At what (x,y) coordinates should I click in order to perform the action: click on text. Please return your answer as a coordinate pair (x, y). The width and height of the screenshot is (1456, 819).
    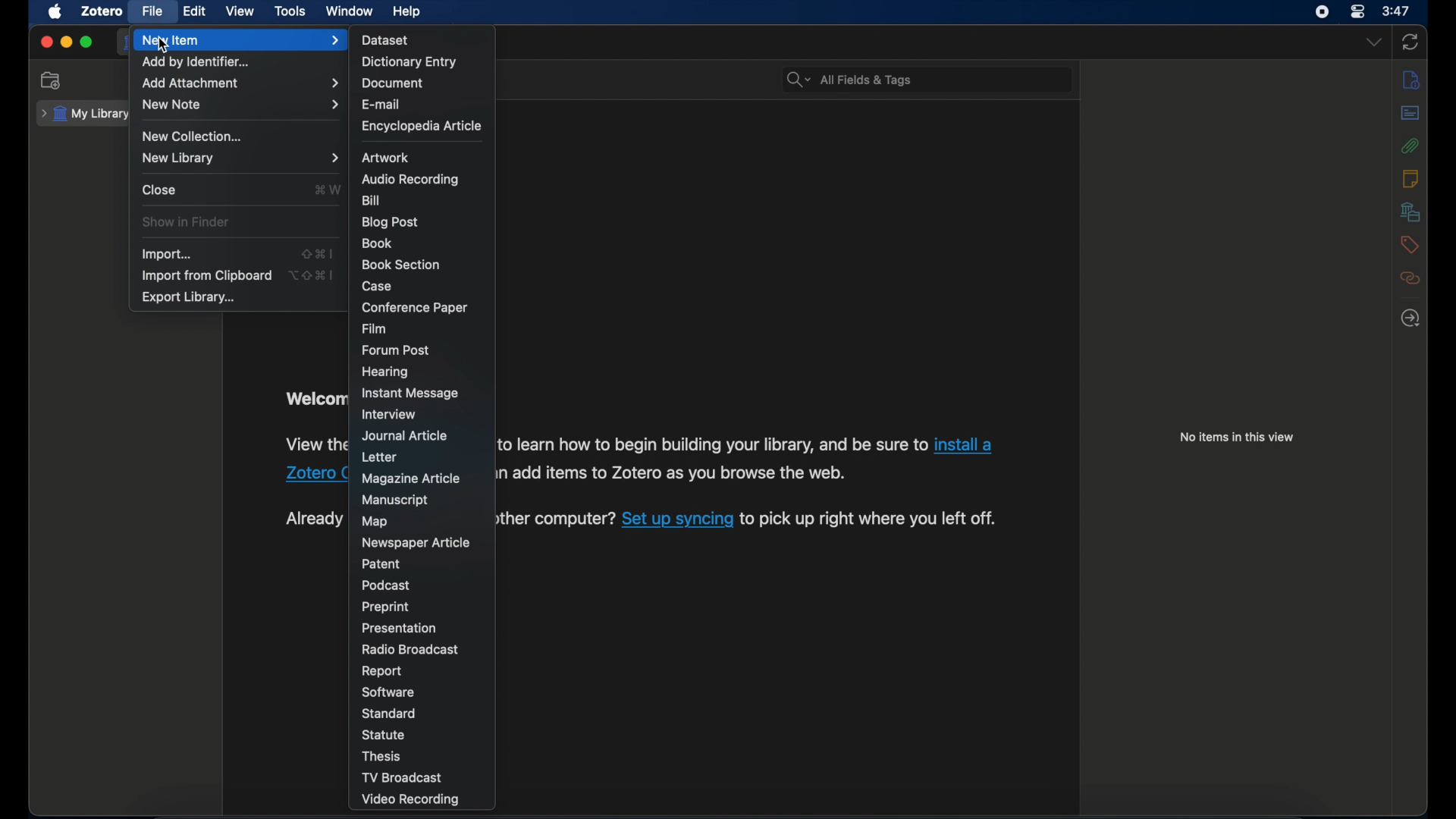
    Looking at the image, I should click on (883, 520).